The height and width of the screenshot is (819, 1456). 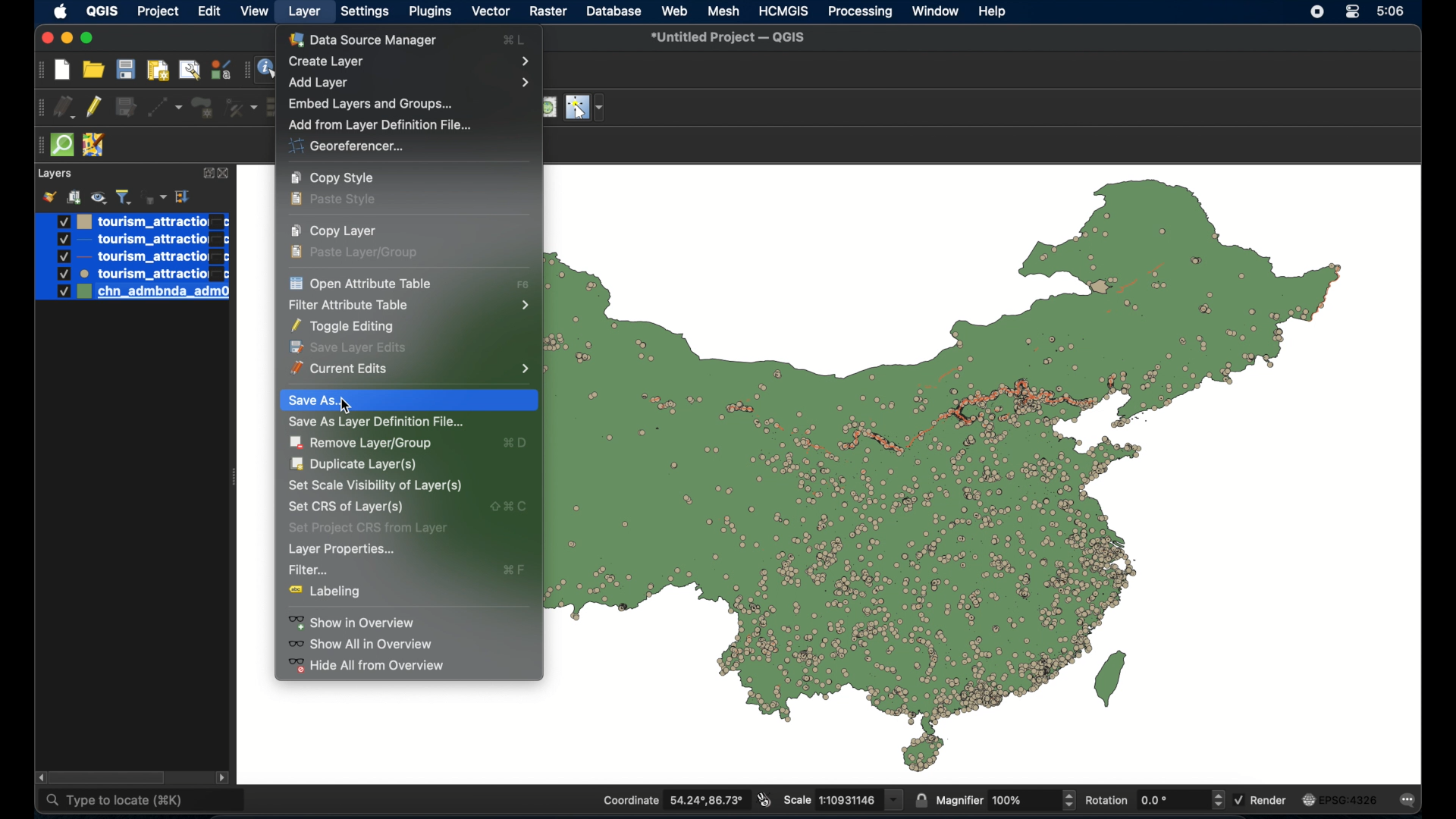 What do you see at coordinates (320, 594) in the screenshot?
I see `labelling` at bounding box center [320, 594].